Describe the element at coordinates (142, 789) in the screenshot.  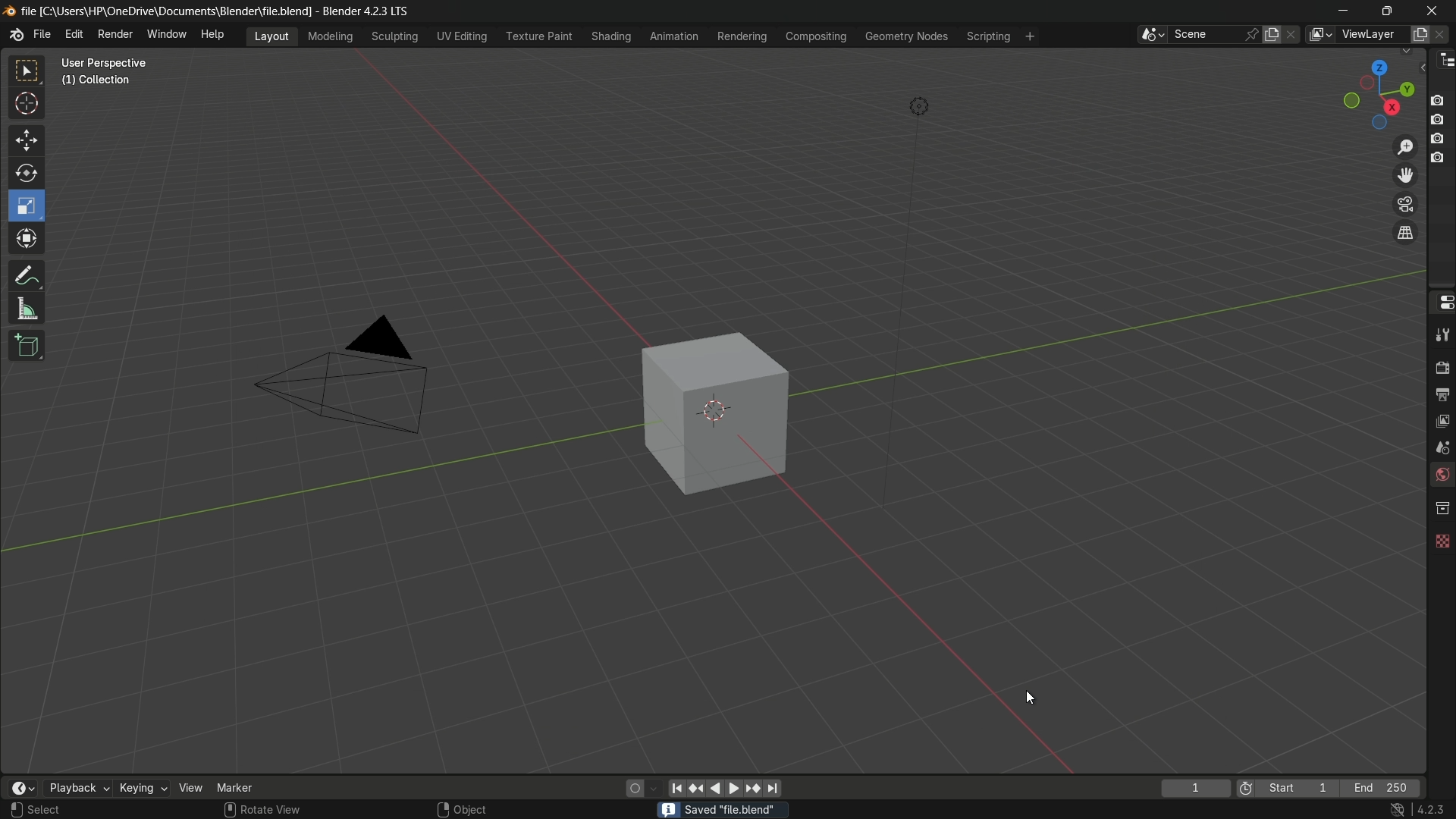
I see `keying` at that location.